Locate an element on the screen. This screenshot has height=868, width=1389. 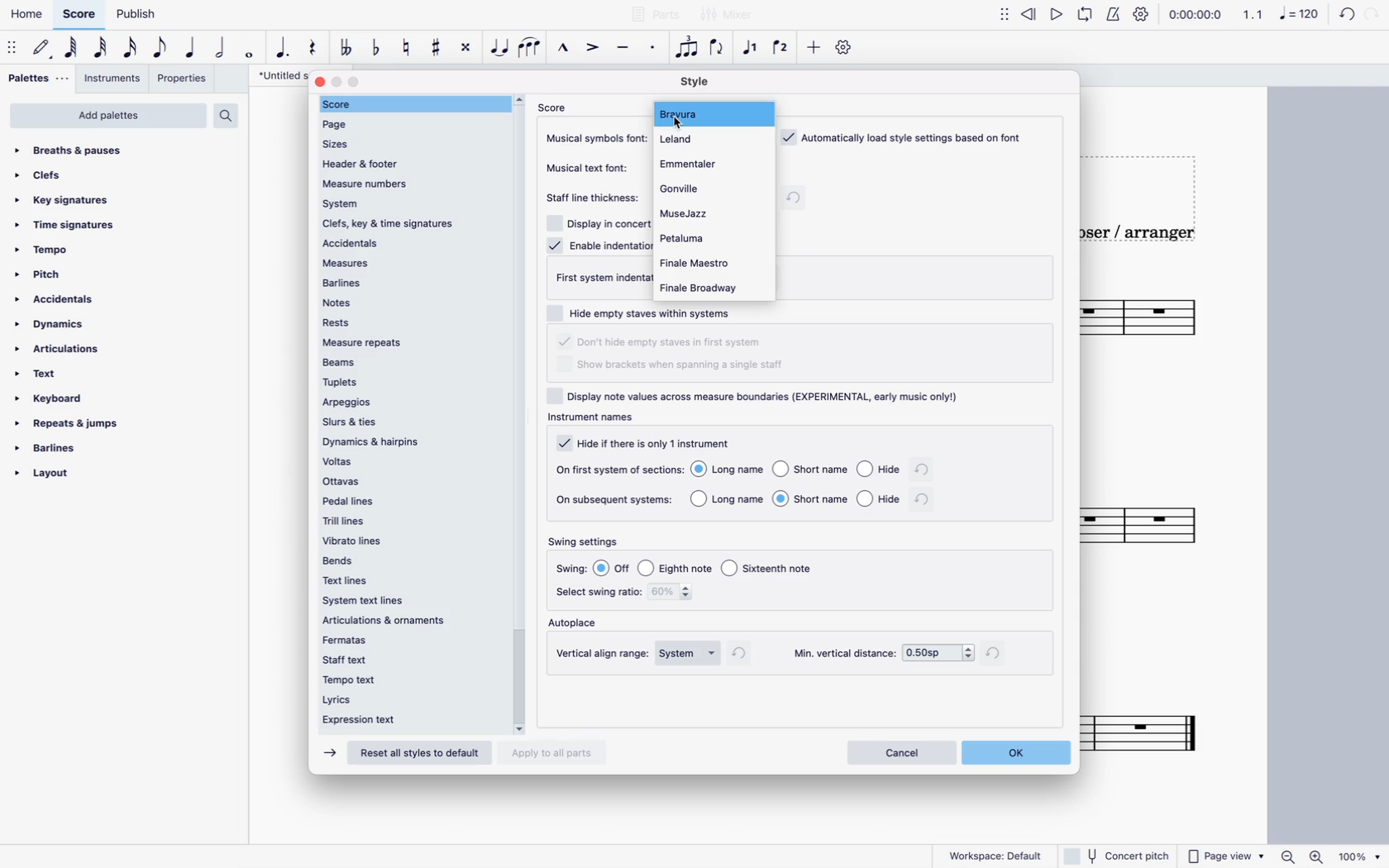
display notes is located at coordinates (761, 396).